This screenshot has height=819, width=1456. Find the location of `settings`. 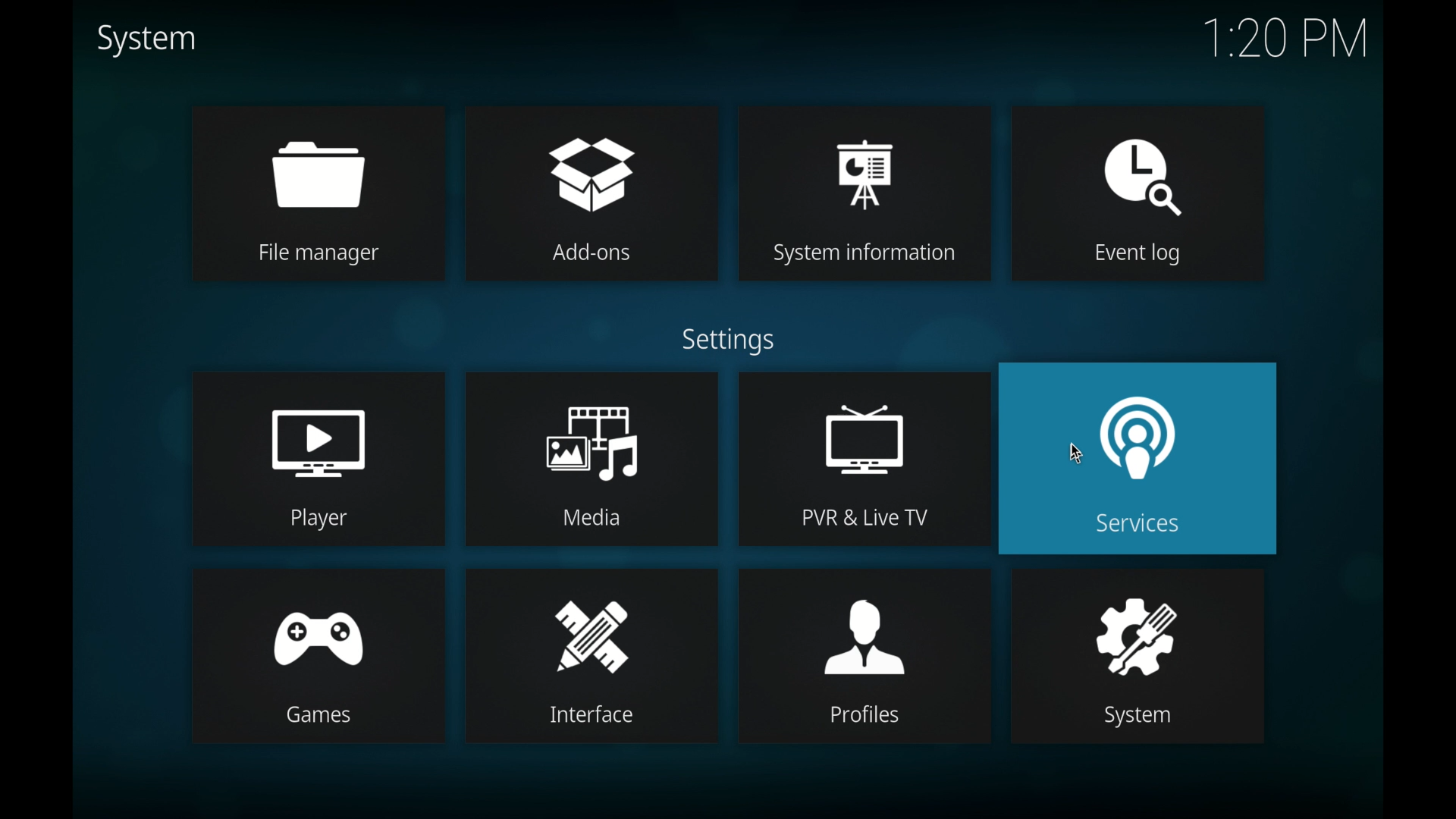

settings is located at coordinates (729, 340).